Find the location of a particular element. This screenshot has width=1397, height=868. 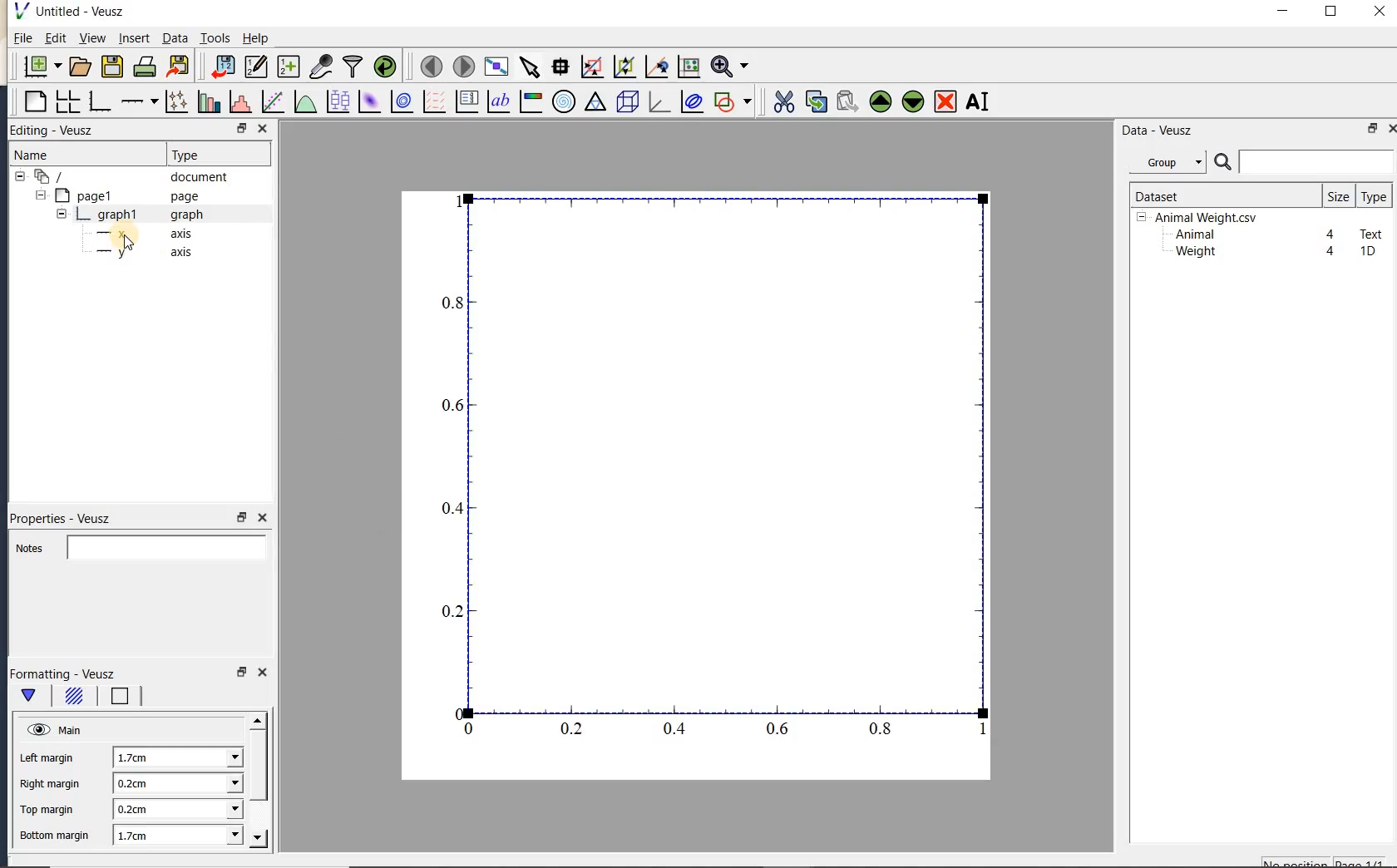

capture remote data is located at coordinates (321, 66).